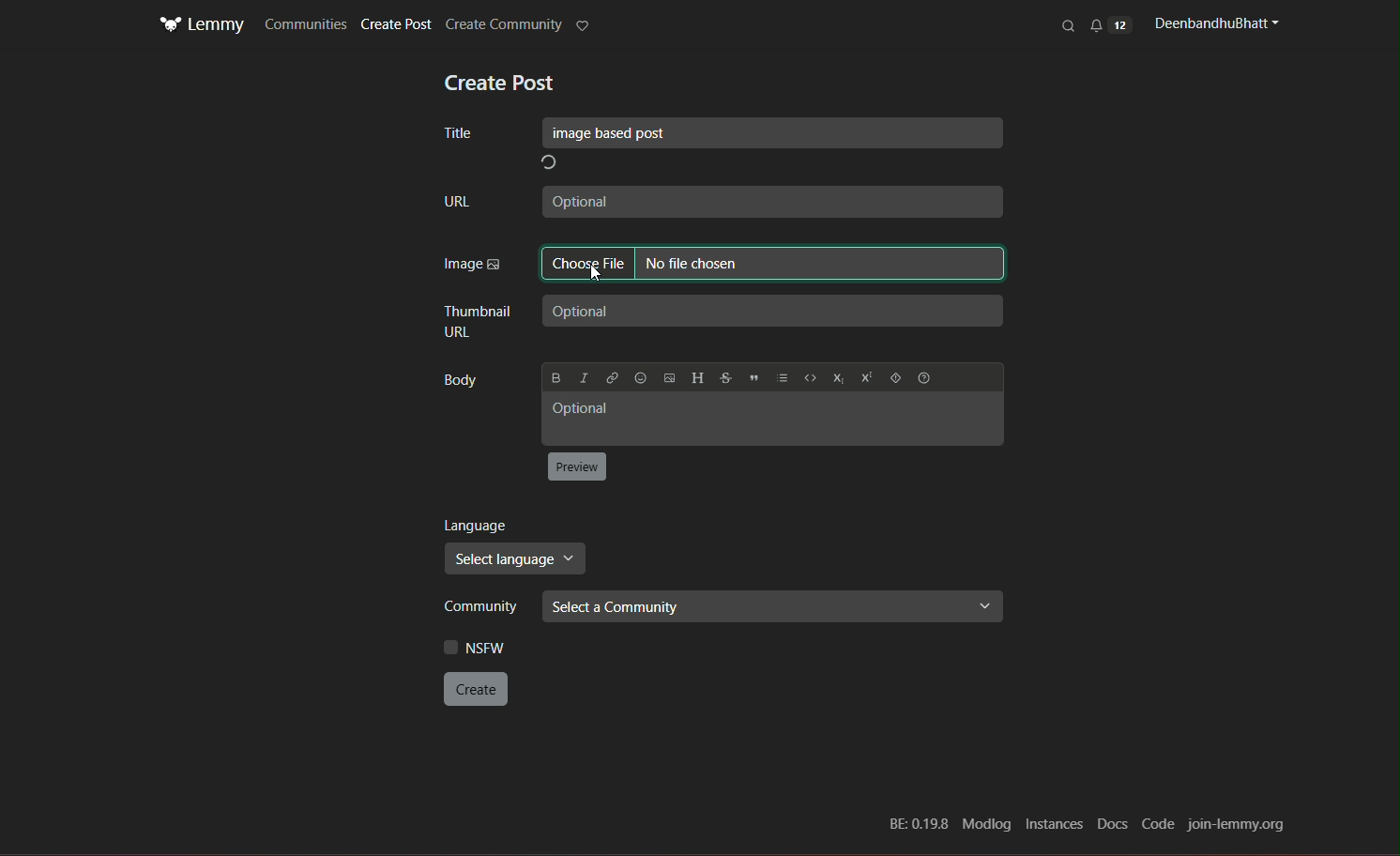 The height and width of the screenshot is (856, 1400). What do you see at coordinates (668, 374) in the screenshot?
I see `Upload image` at bounding box center [668, 374].